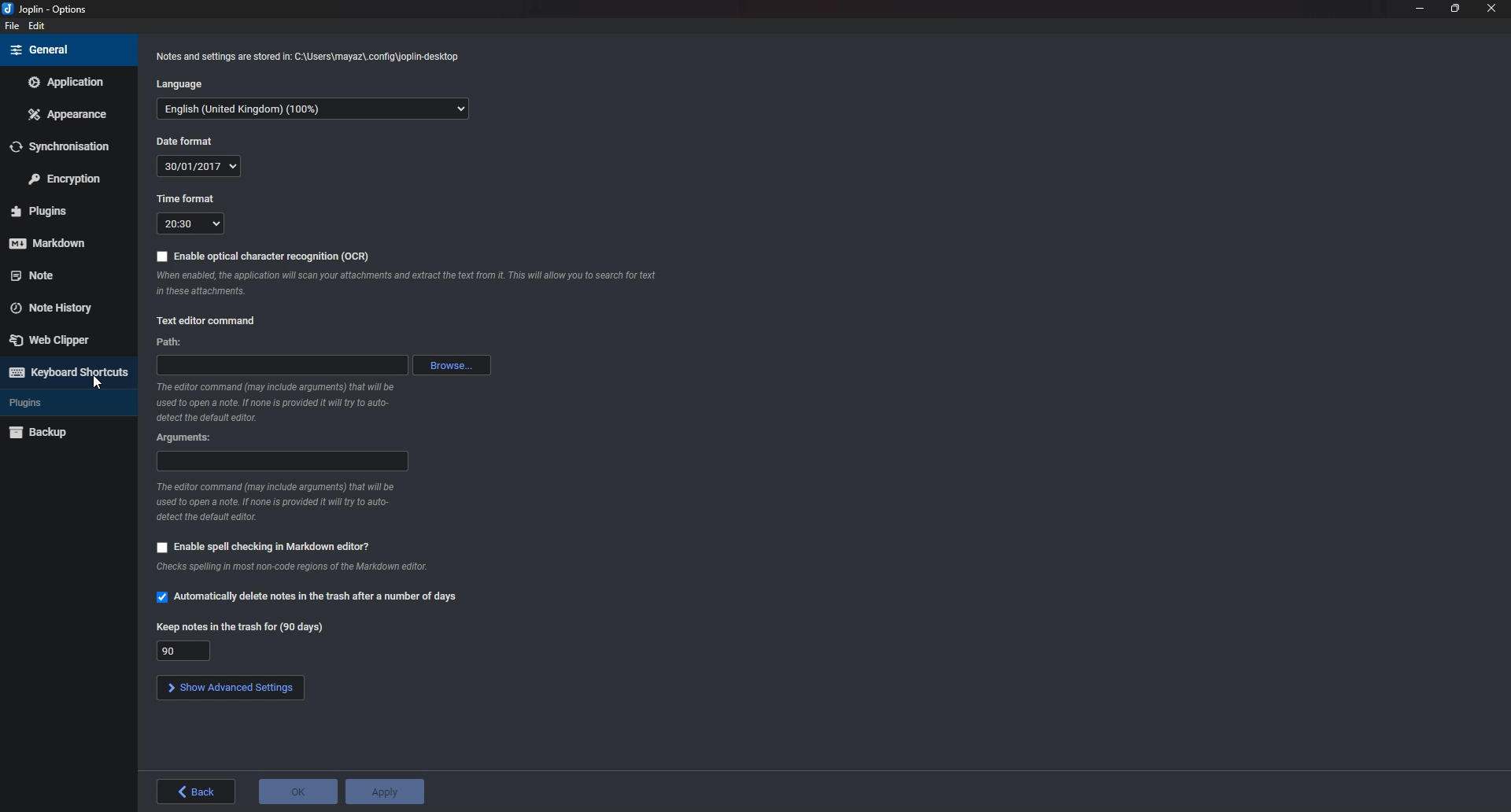  What do you see at coordinates (293, 568) in the screenshot?
I see `Info` at bounding box center [293, 568].